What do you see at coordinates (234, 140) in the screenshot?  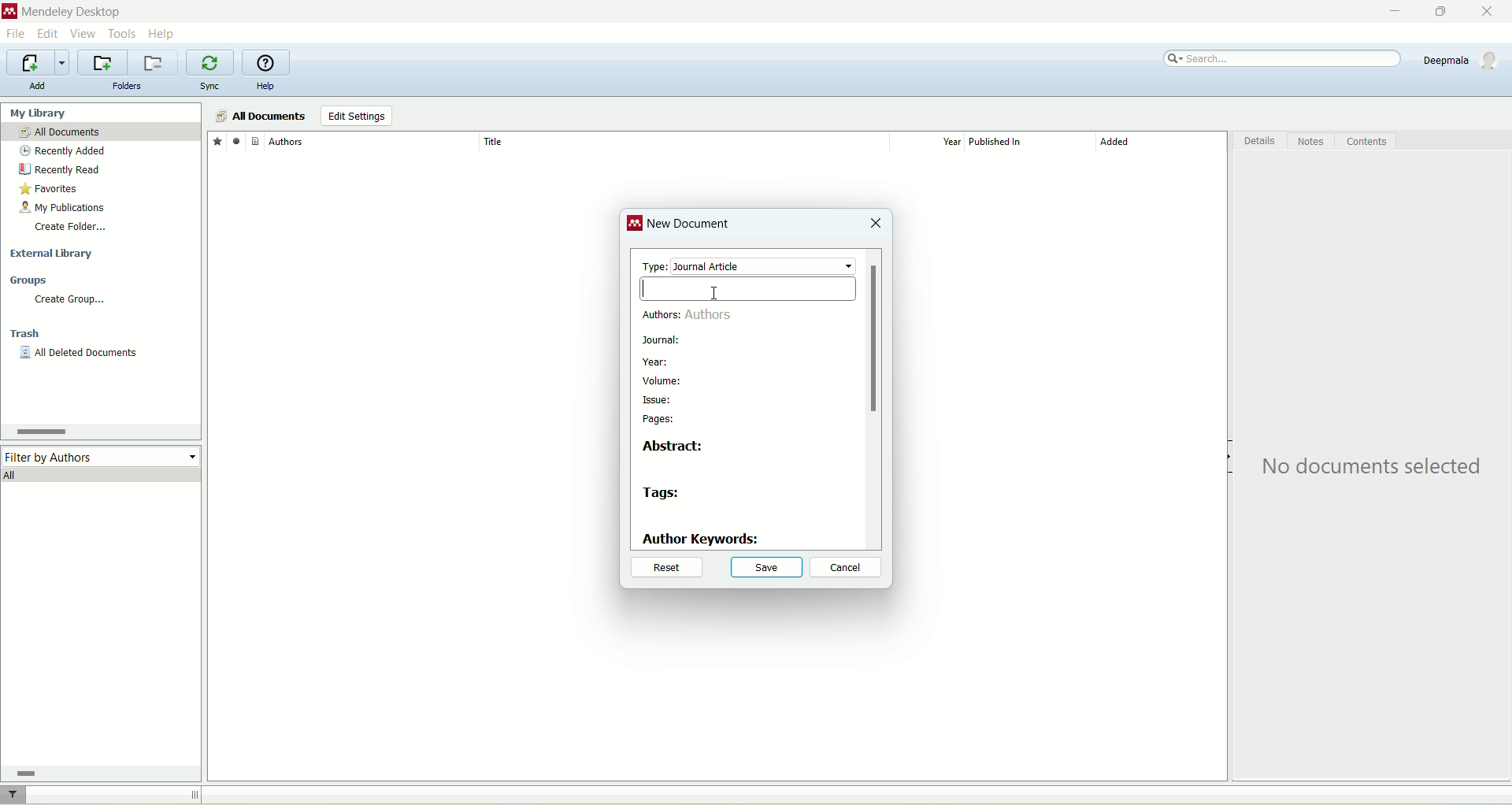 I see `read/unread` at bounding box center [234, 140].